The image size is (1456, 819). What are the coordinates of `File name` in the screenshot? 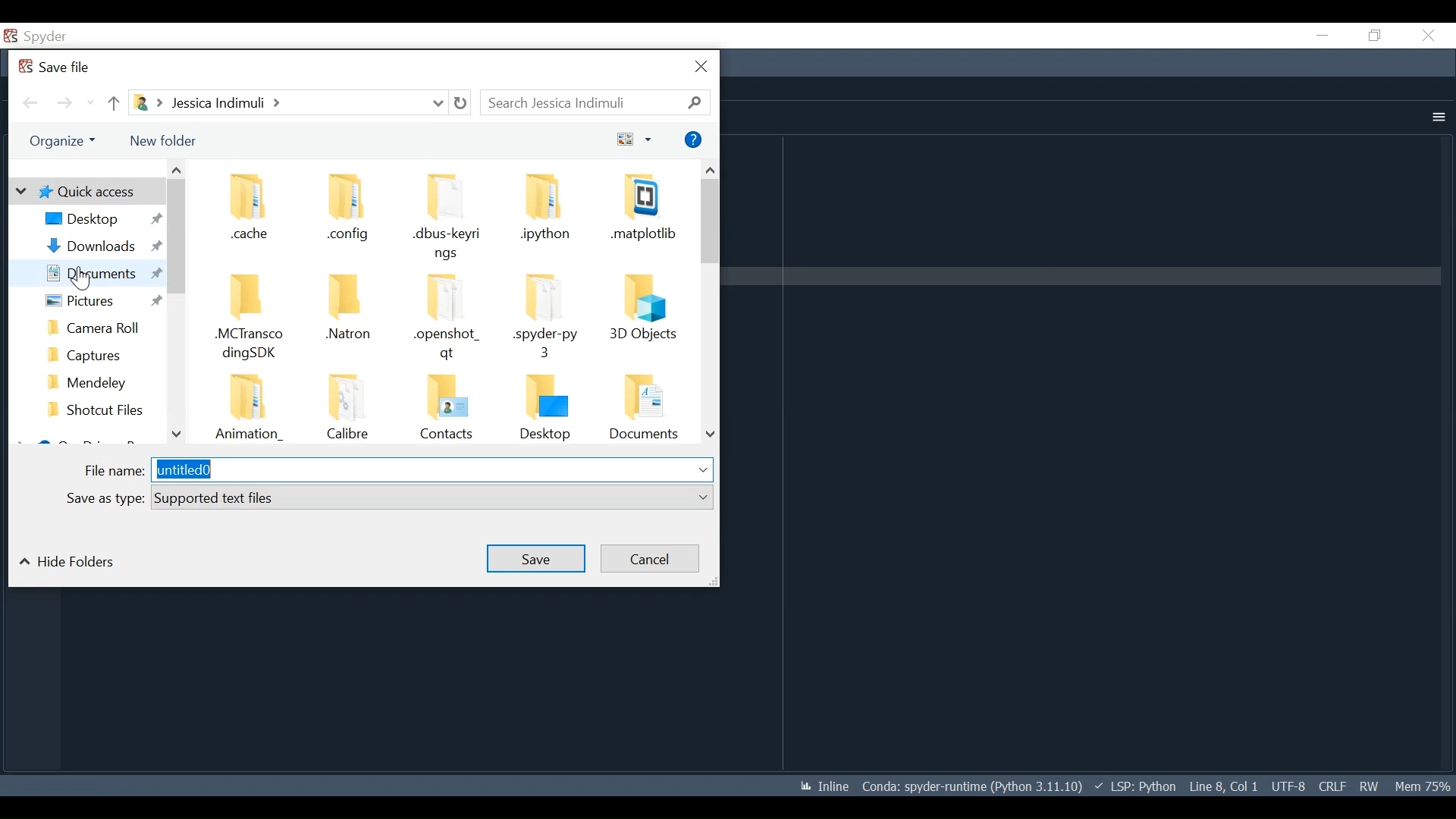 It's located at (399, 470).